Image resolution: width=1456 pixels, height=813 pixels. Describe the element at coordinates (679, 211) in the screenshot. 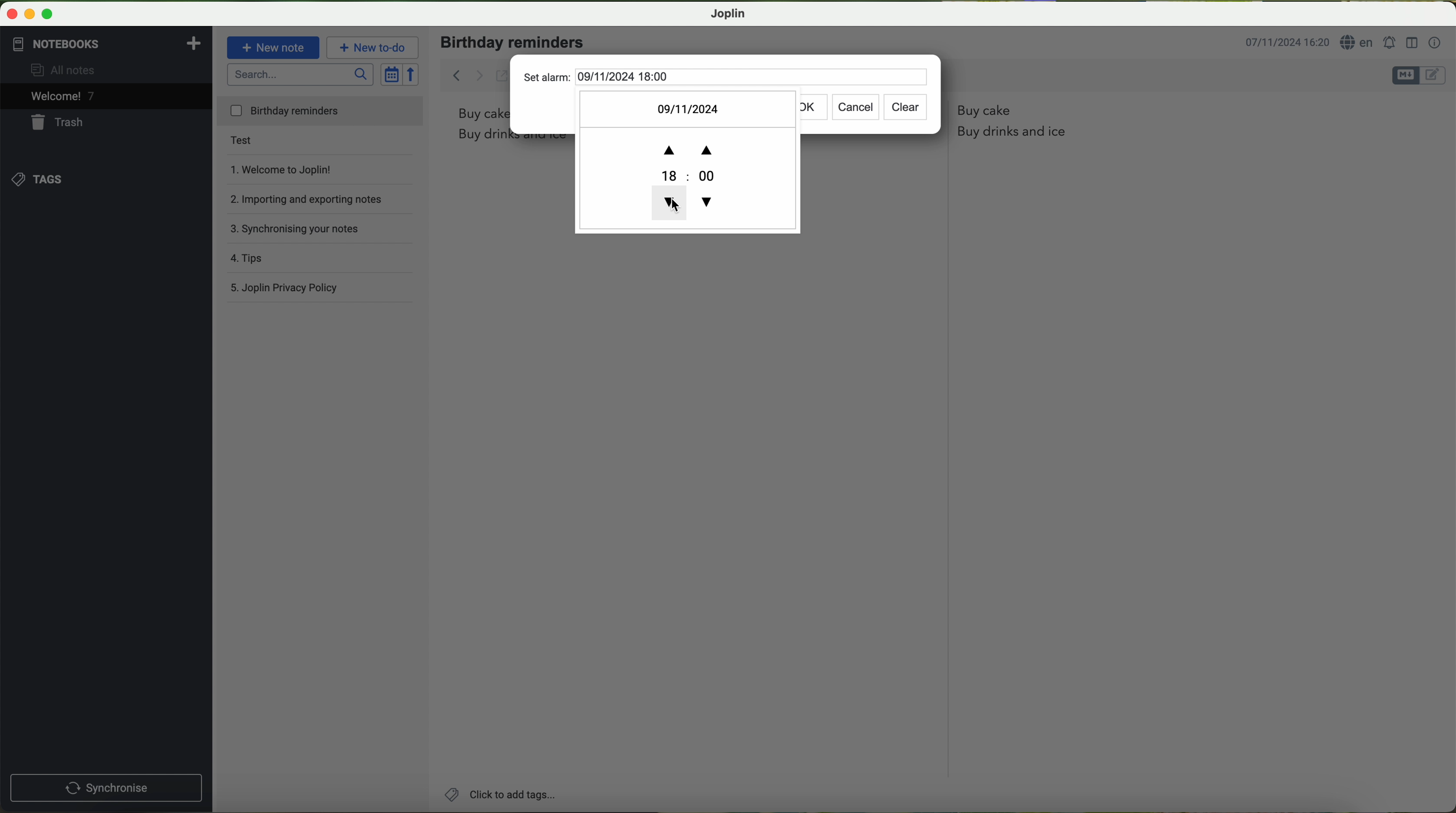

I see `cursor` at that location.